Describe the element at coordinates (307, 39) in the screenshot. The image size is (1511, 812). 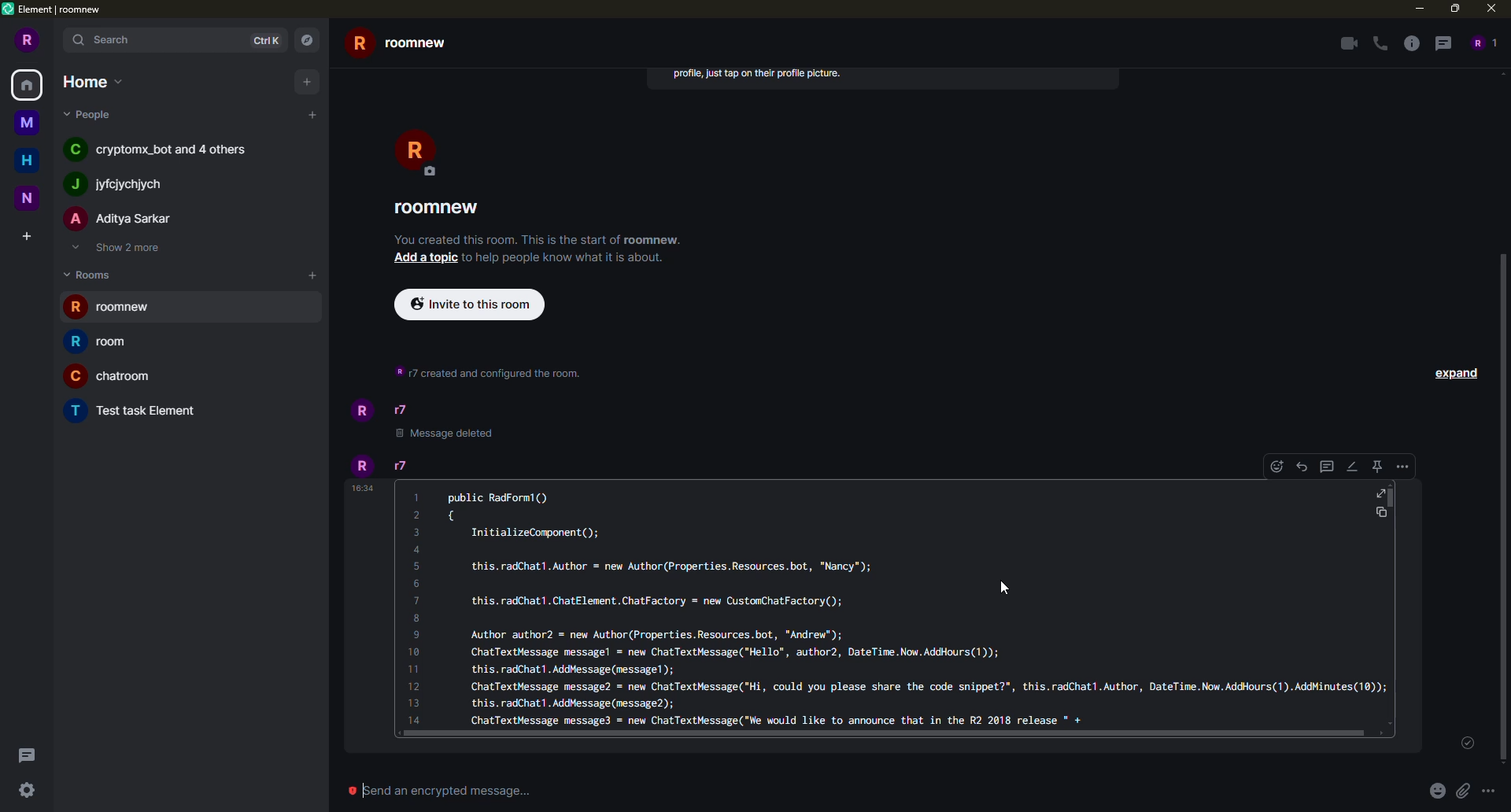
I see `navigator` at that location.